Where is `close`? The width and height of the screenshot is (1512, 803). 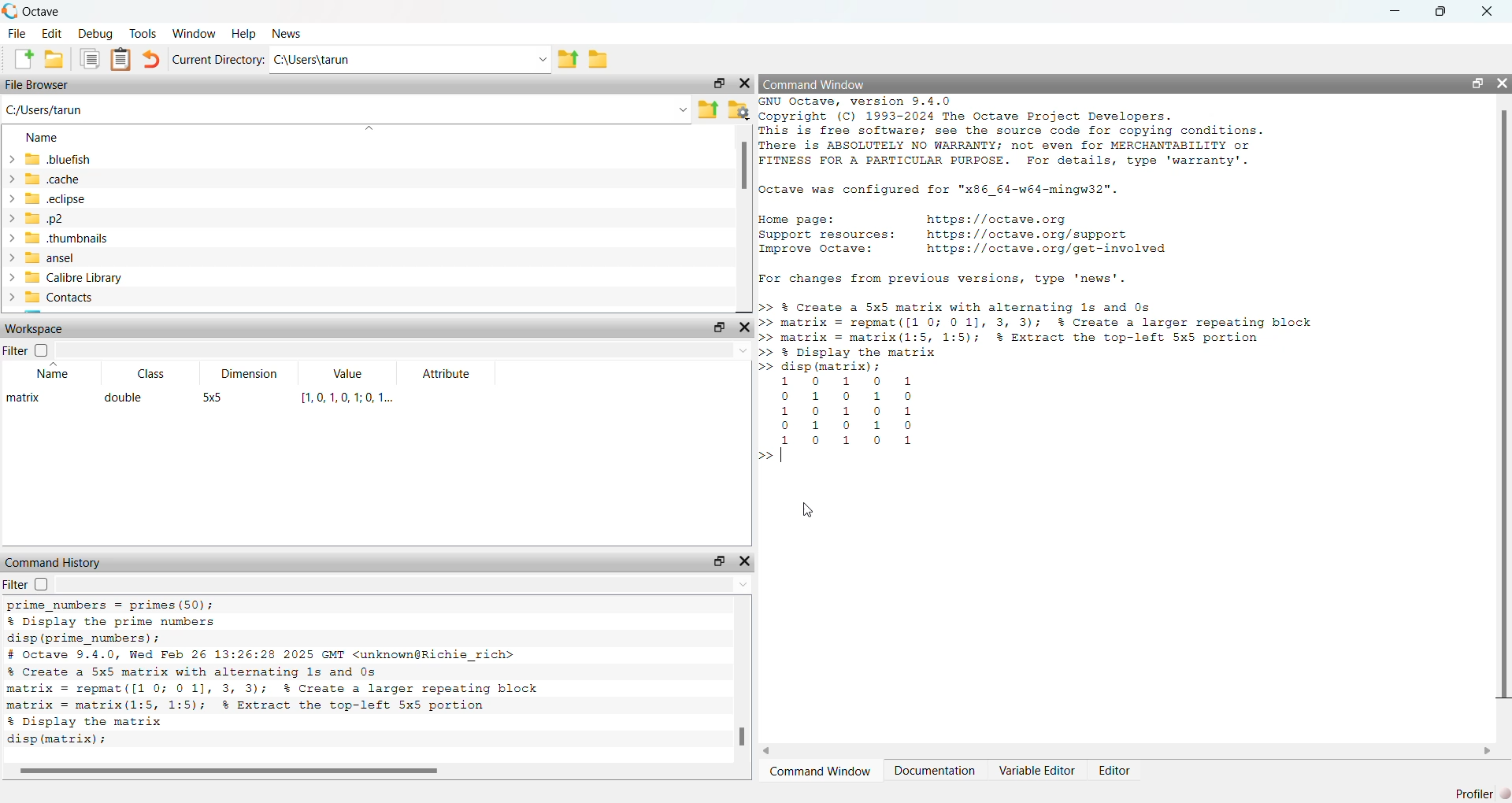
close is located at coordinates (1488, 12).